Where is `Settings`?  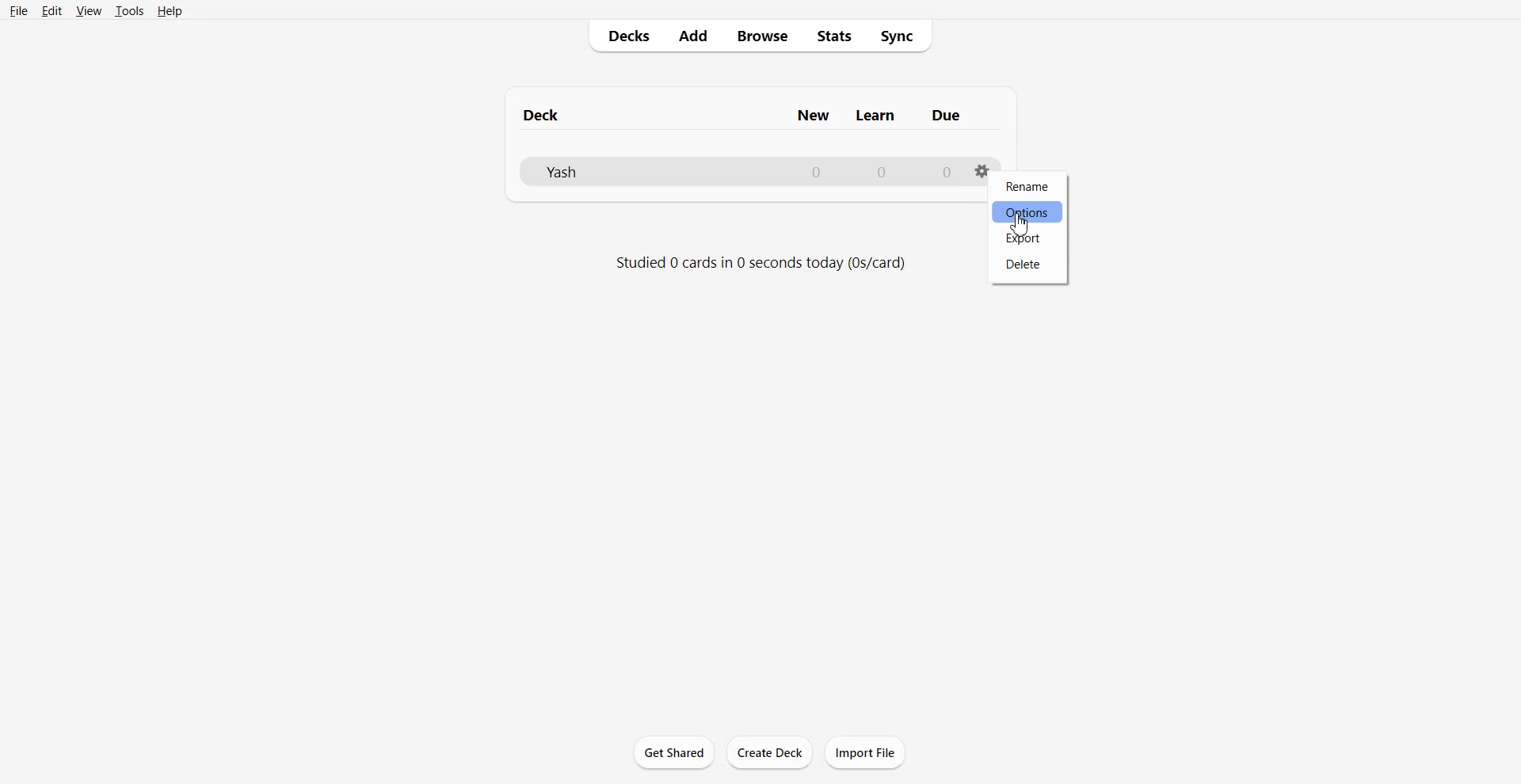
Settings is located at coordinates (981, 177).